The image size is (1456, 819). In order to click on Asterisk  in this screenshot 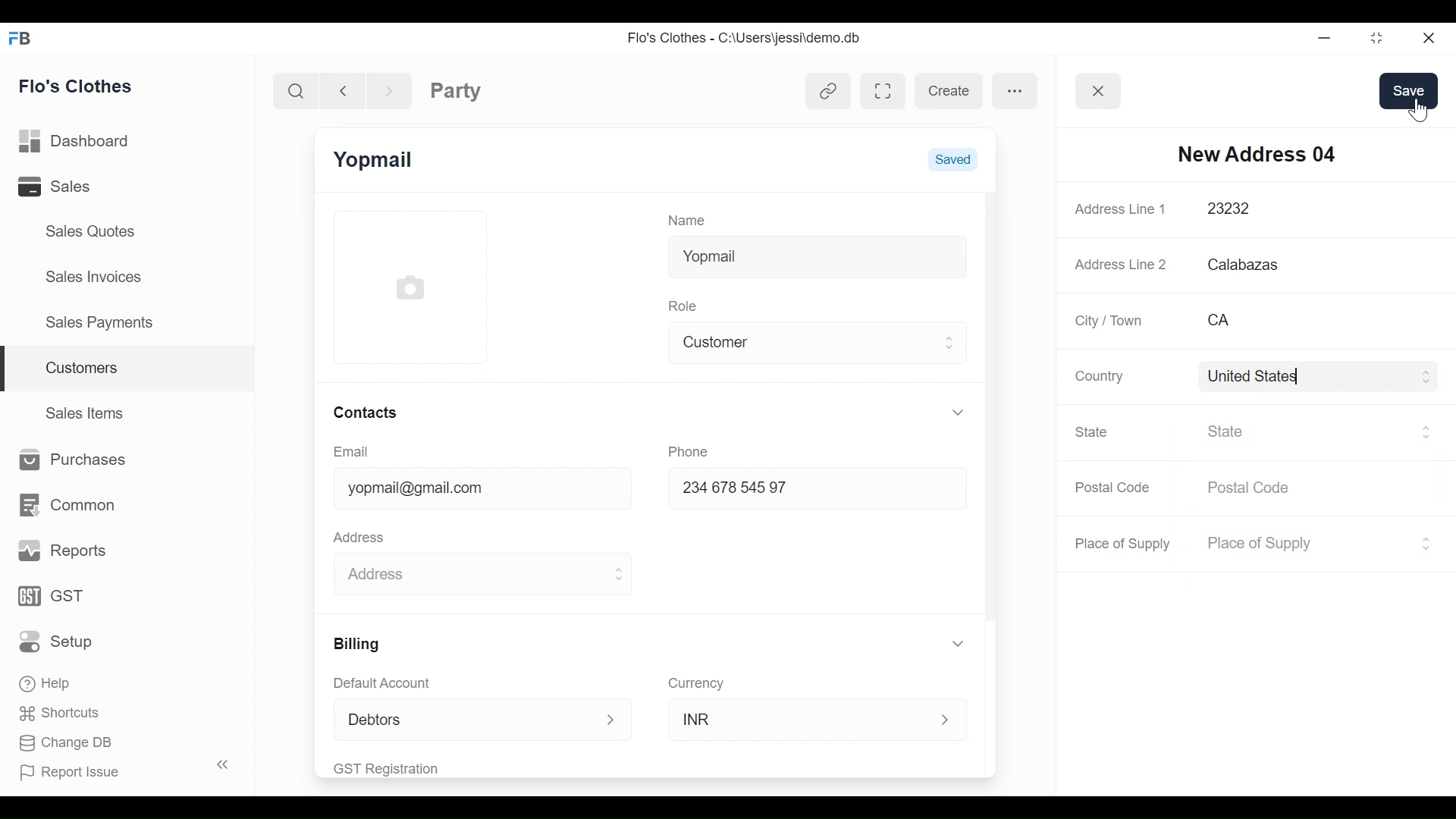, I will do `click(1427, 319)`.